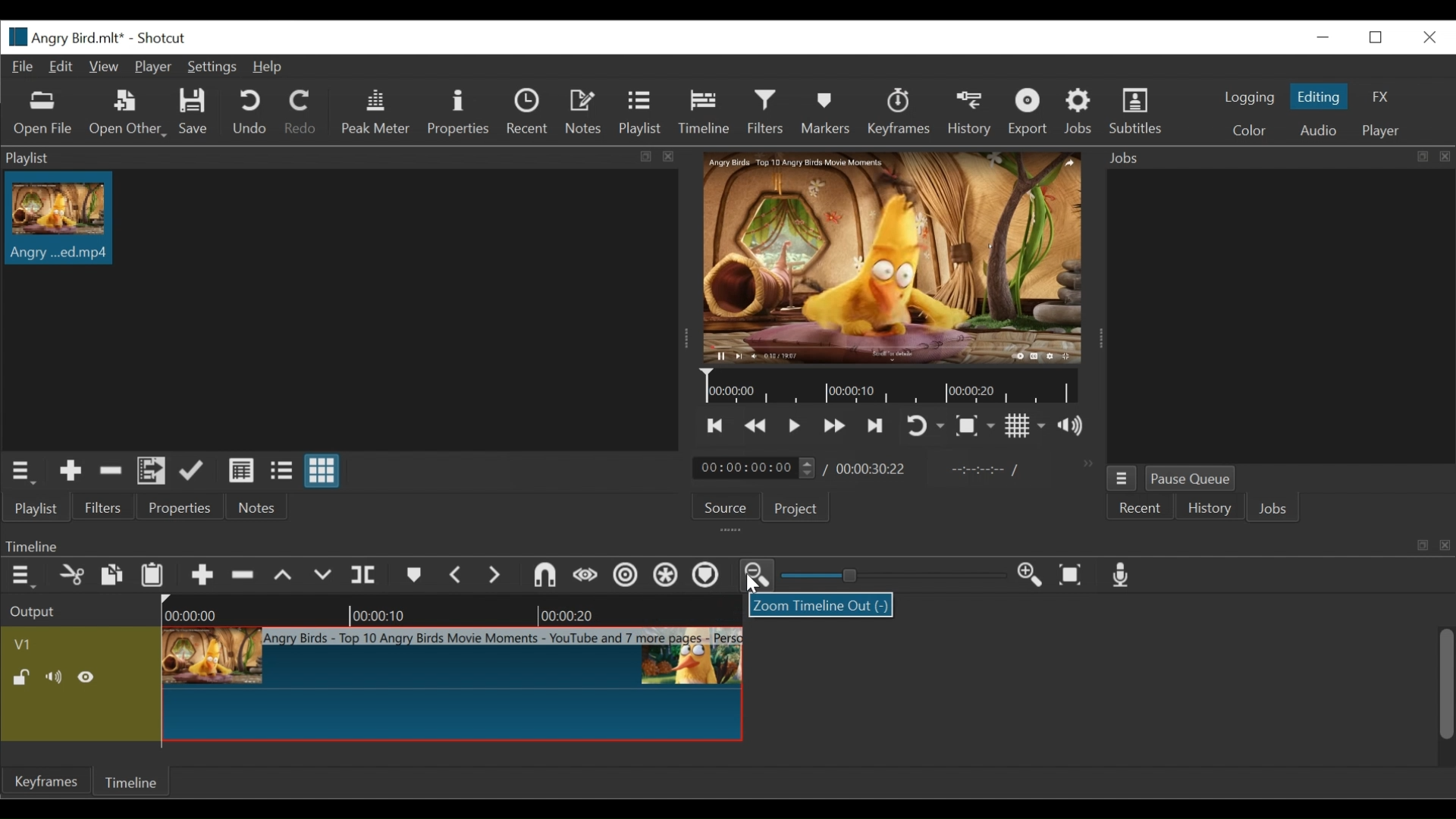 This screenshot has width=1456, height=819. Describe the element at coordinates (754, 469) in the screenshot. I see `Current Duration` at that location.